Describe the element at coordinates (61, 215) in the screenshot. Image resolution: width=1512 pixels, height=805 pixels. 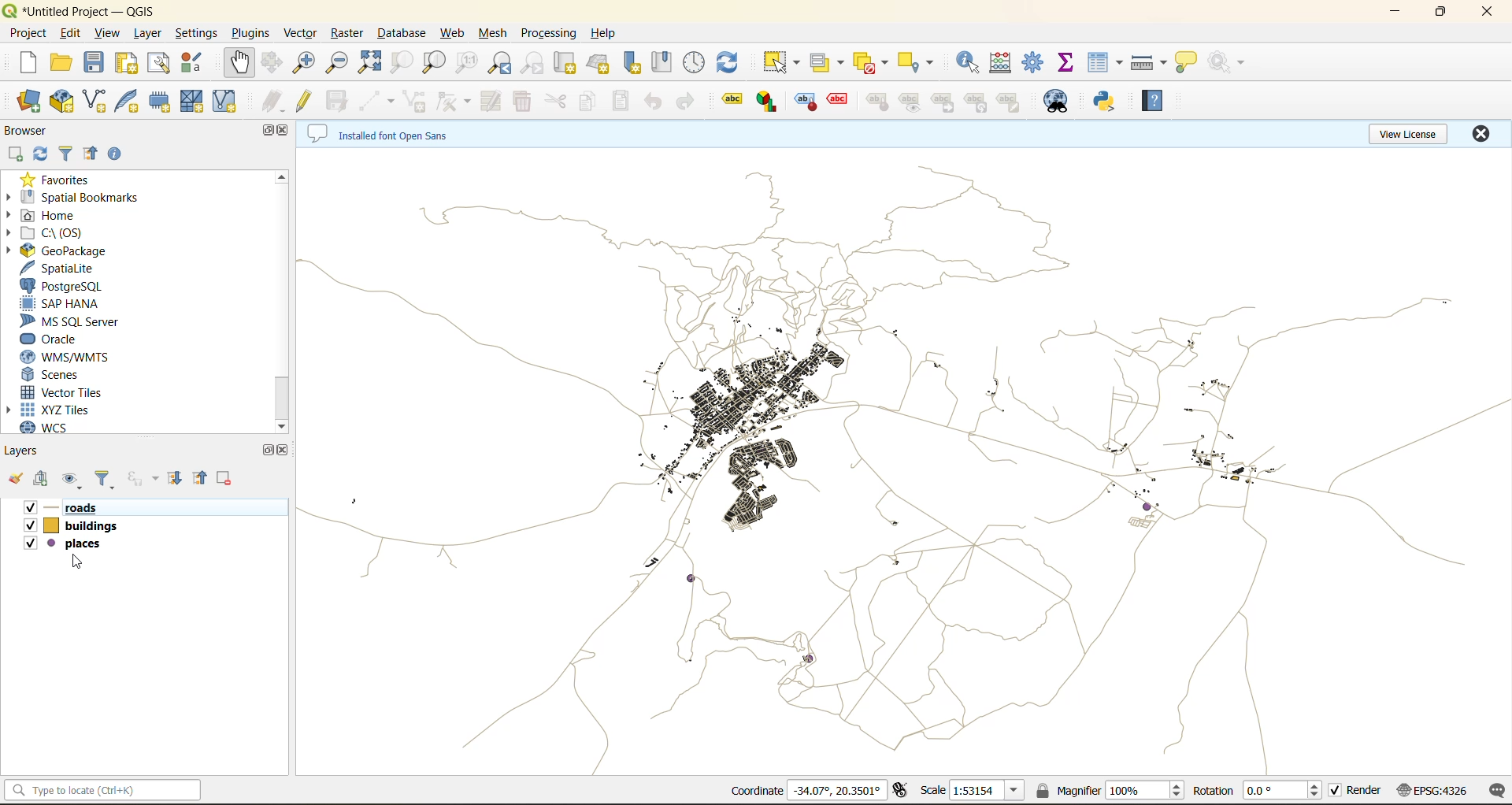
I see `home` at that location.